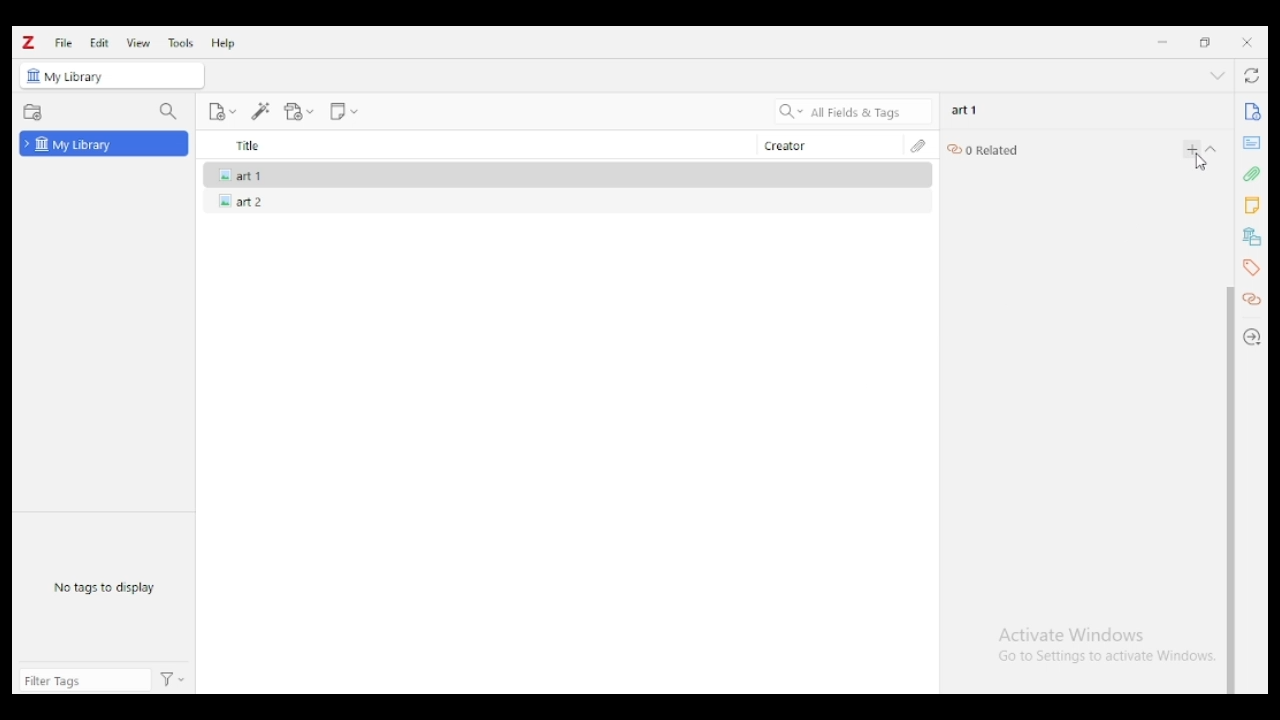  What do you see at coordinates (1206, 43) in the screenshot?
I see `maximize` at bounding box center [1206, 43].